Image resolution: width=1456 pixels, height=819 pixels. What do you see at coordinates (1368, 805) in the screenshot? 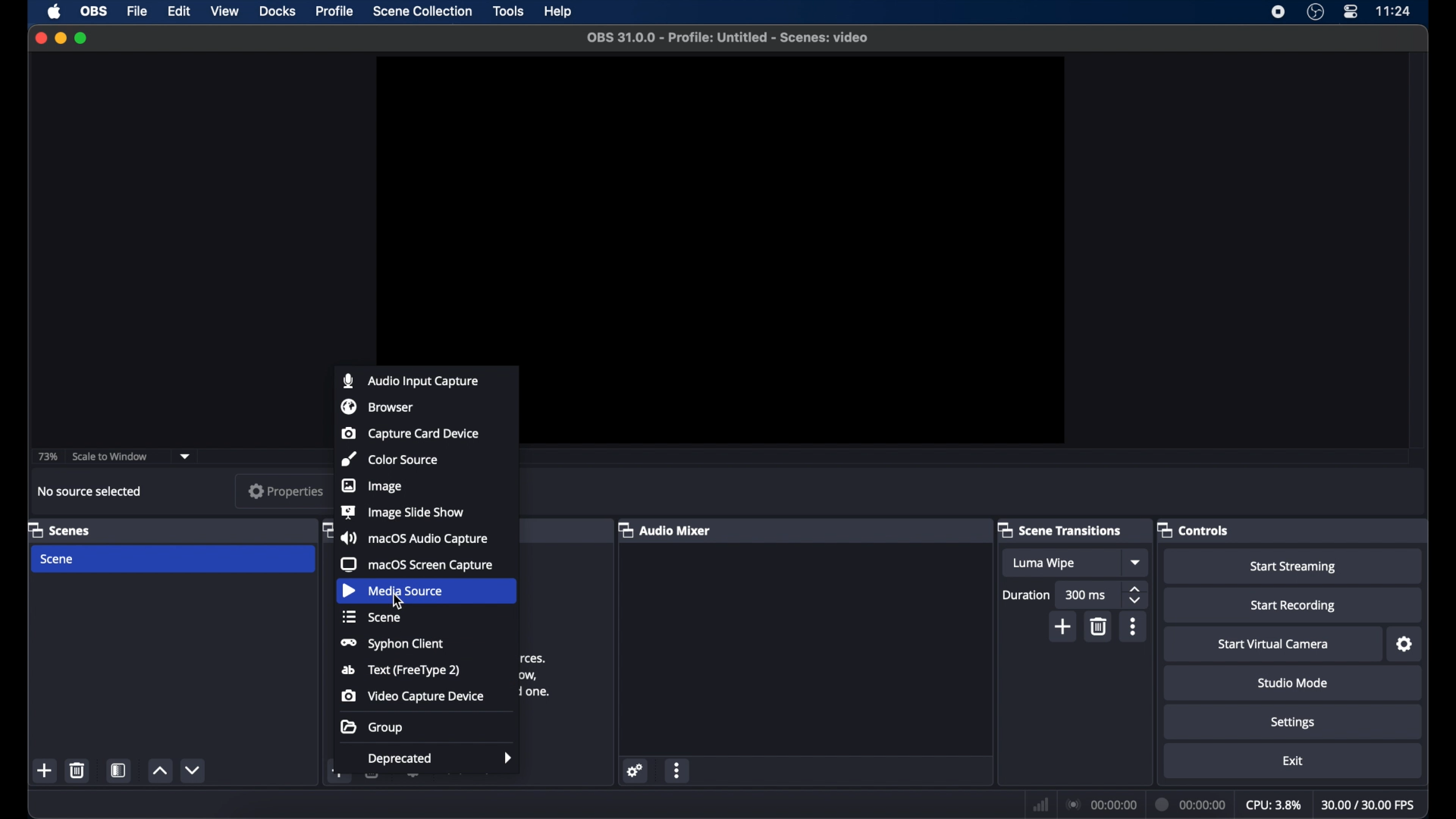
I see `fps` at bounding box center [1368, 805].